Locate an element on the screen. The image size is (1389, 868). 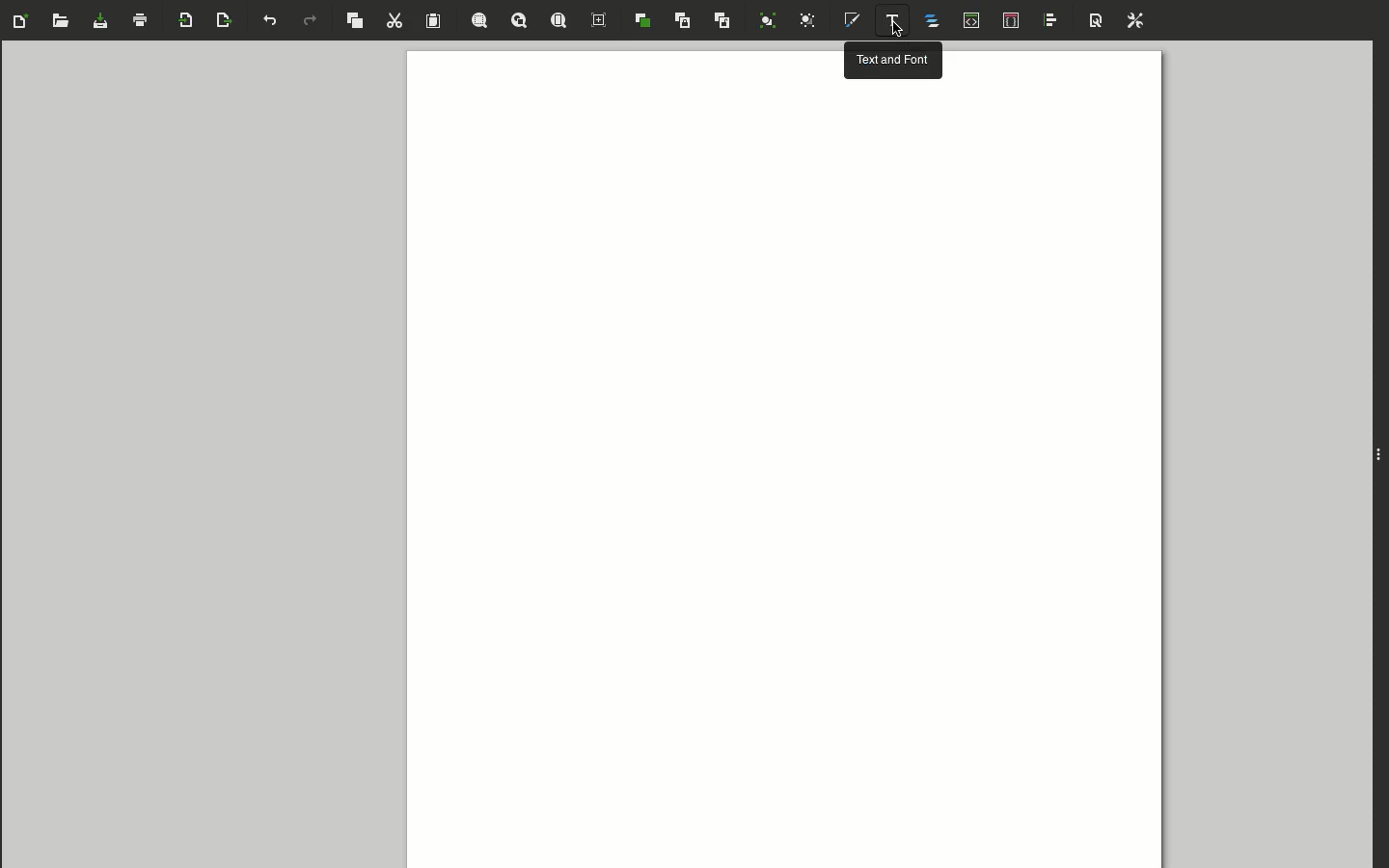
Expand is located at coordinates (1379, 454).